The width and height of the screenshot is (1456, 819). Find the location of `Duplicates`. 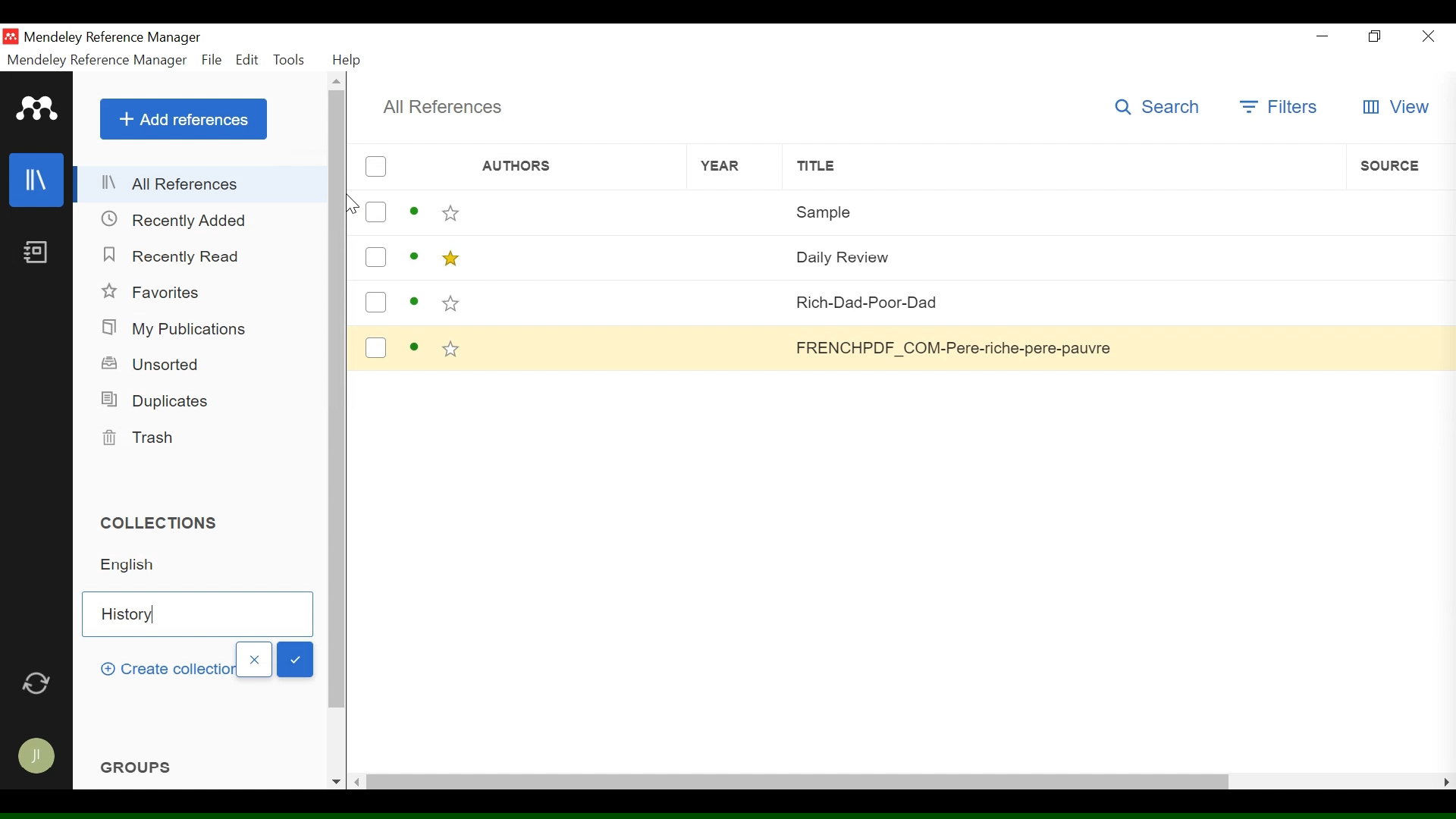

Duplicates is located at coordinates (154, 403).